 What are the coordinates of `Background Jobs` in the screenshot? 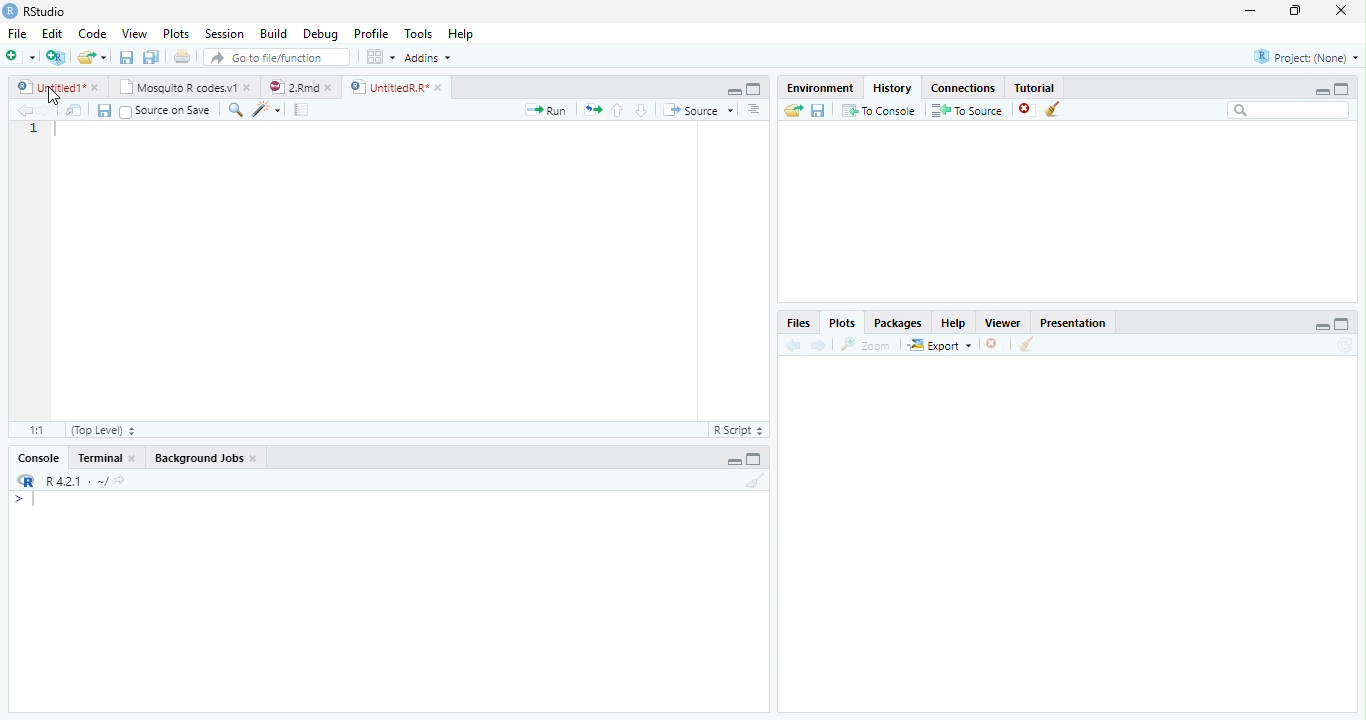 It's located at (205, 457).